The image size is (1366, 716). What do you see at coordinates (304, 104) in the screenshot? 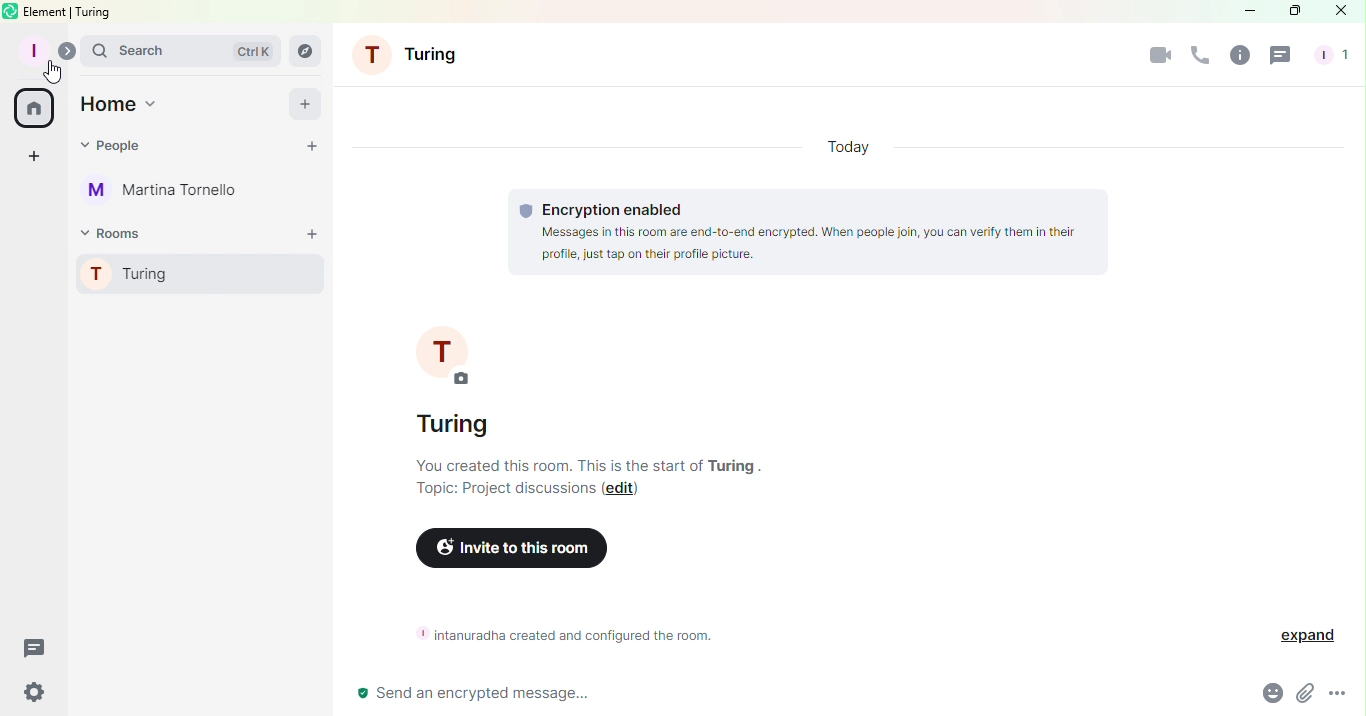
I see `Add` at bounding box center [304, 104].